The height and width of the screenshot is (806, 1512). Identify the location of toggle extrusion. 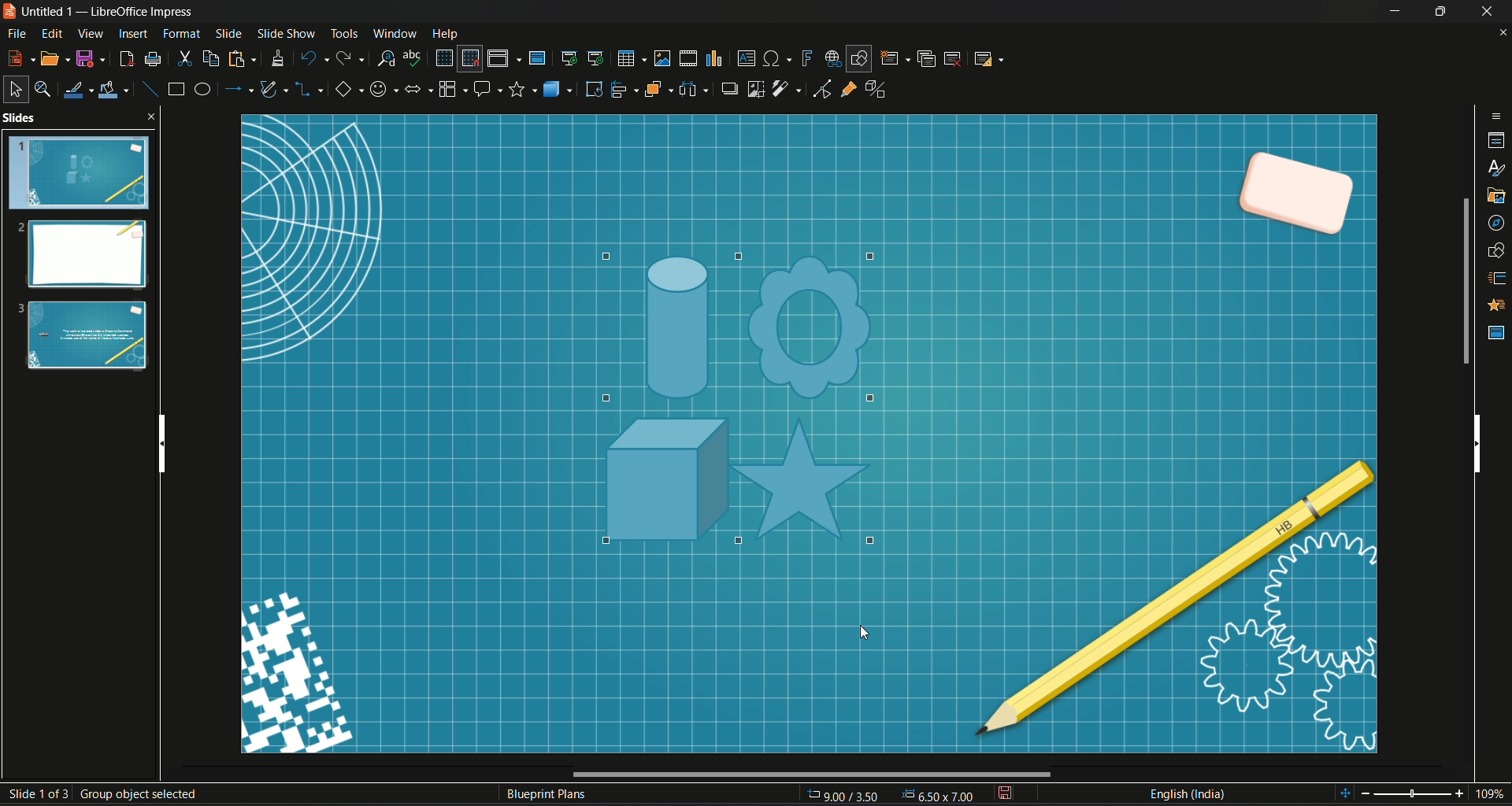
(880, 89).